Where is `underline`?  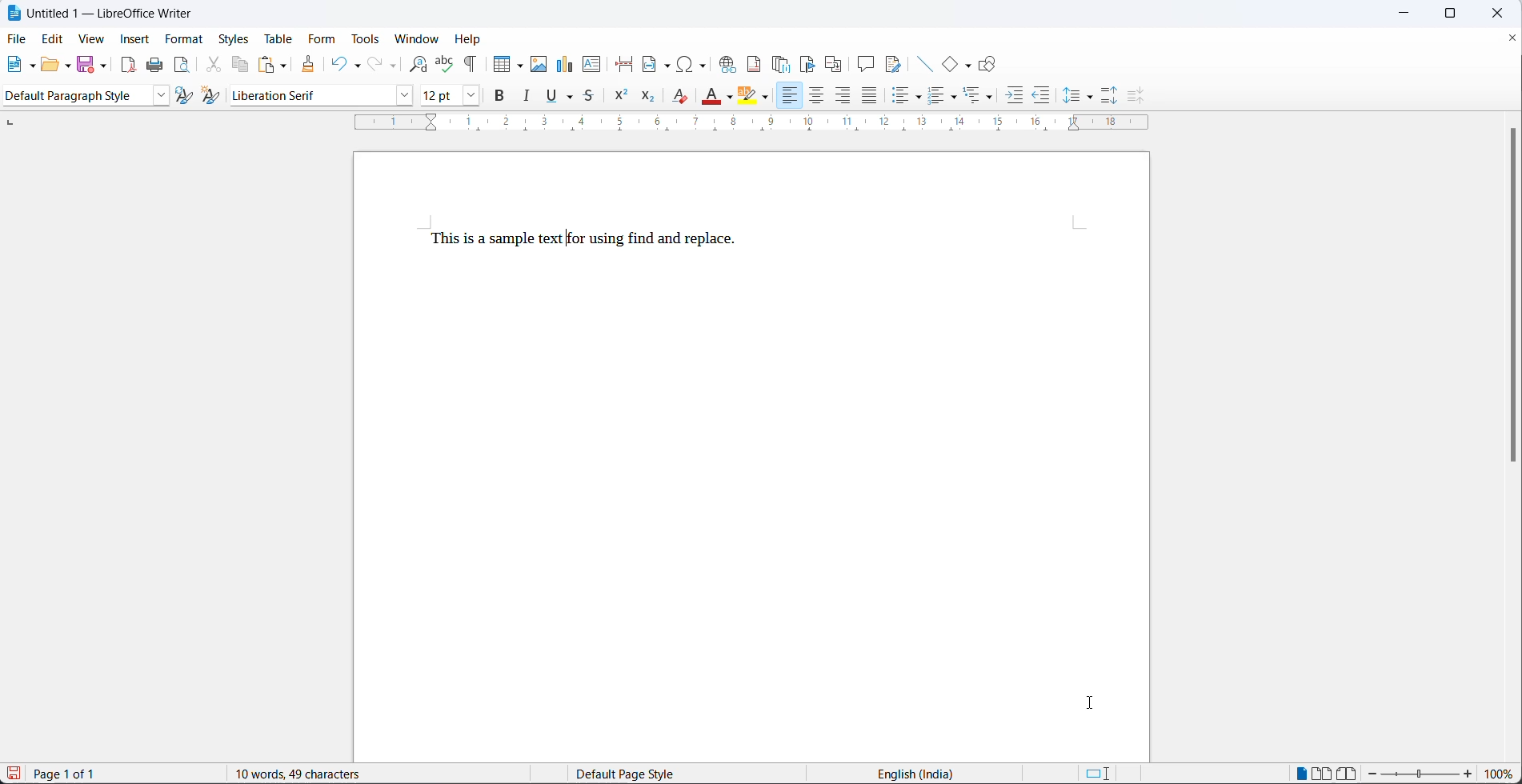 underline is located at coordinates (551, 98).